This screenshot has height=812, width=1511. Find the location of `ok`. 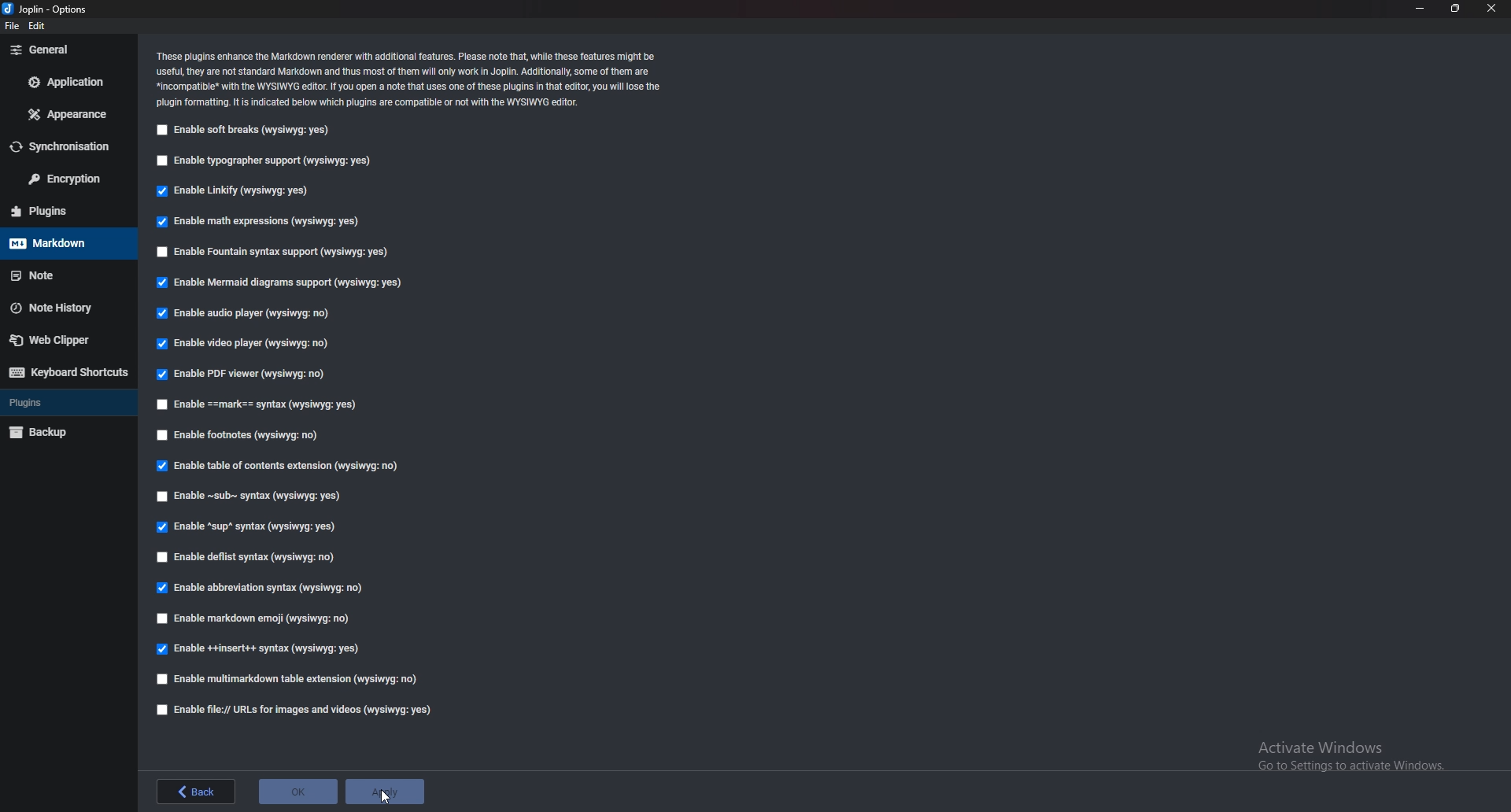

ok is located at coordinates (300, 792).